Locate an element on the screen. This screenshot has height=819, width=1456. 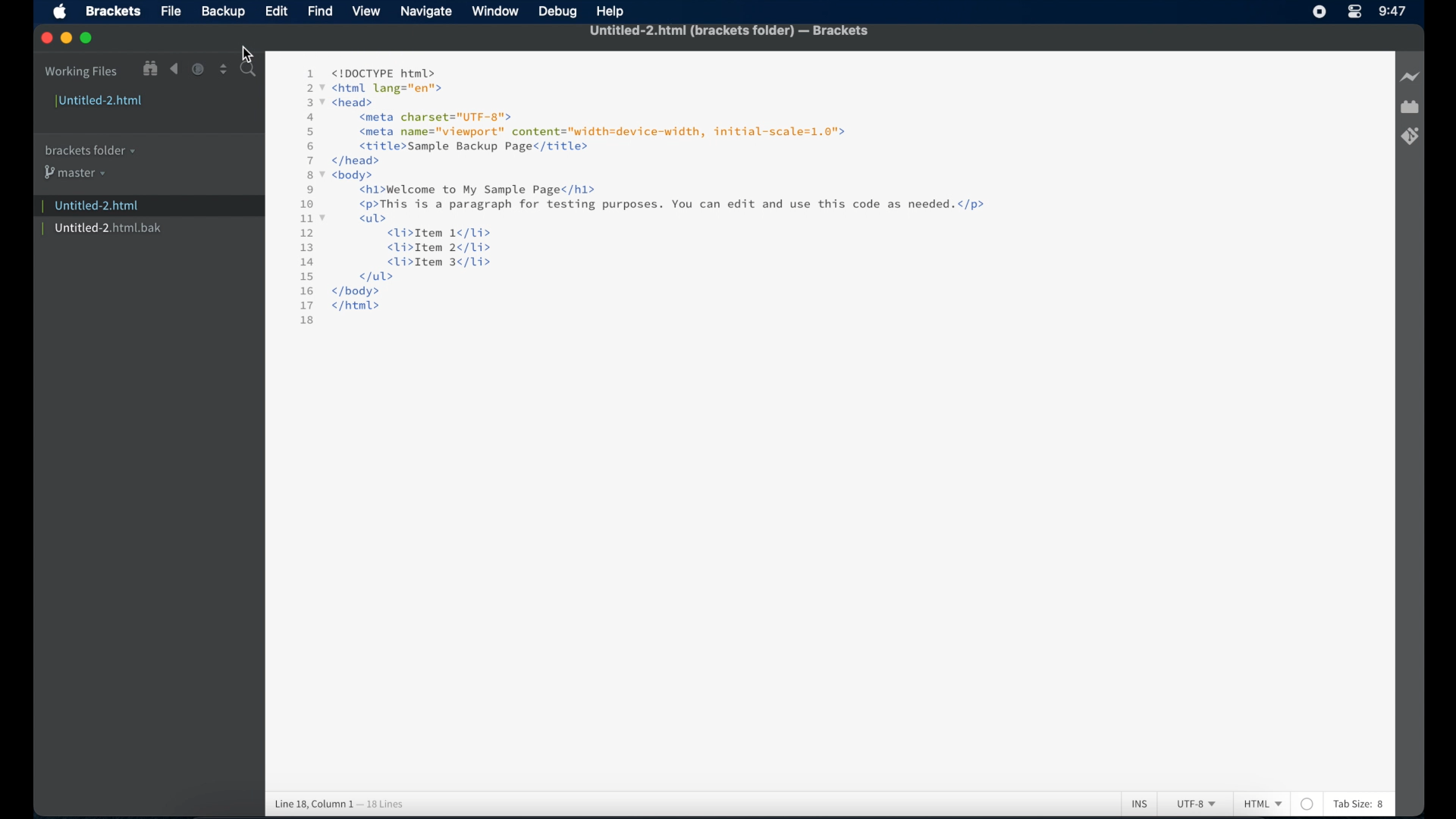
brackets folder menu is located at coordinates (89, 151).